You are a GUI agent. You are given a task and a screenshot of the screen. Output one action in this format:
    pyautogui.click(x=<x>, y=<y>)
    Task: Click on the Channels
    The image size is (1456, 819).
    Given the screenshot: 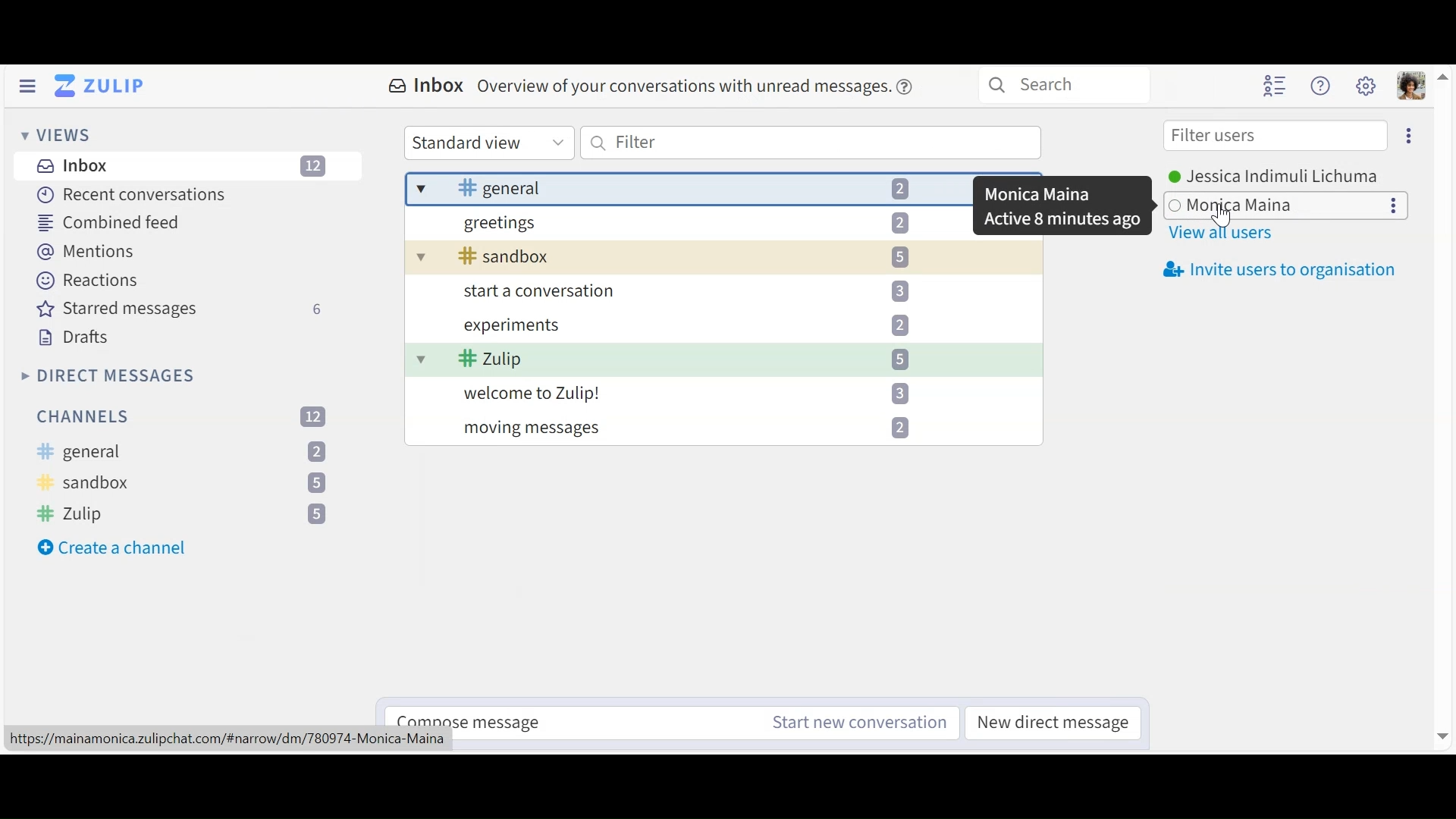 What is the action you would take?
    pyautogui.click(x=185, y=483)
    